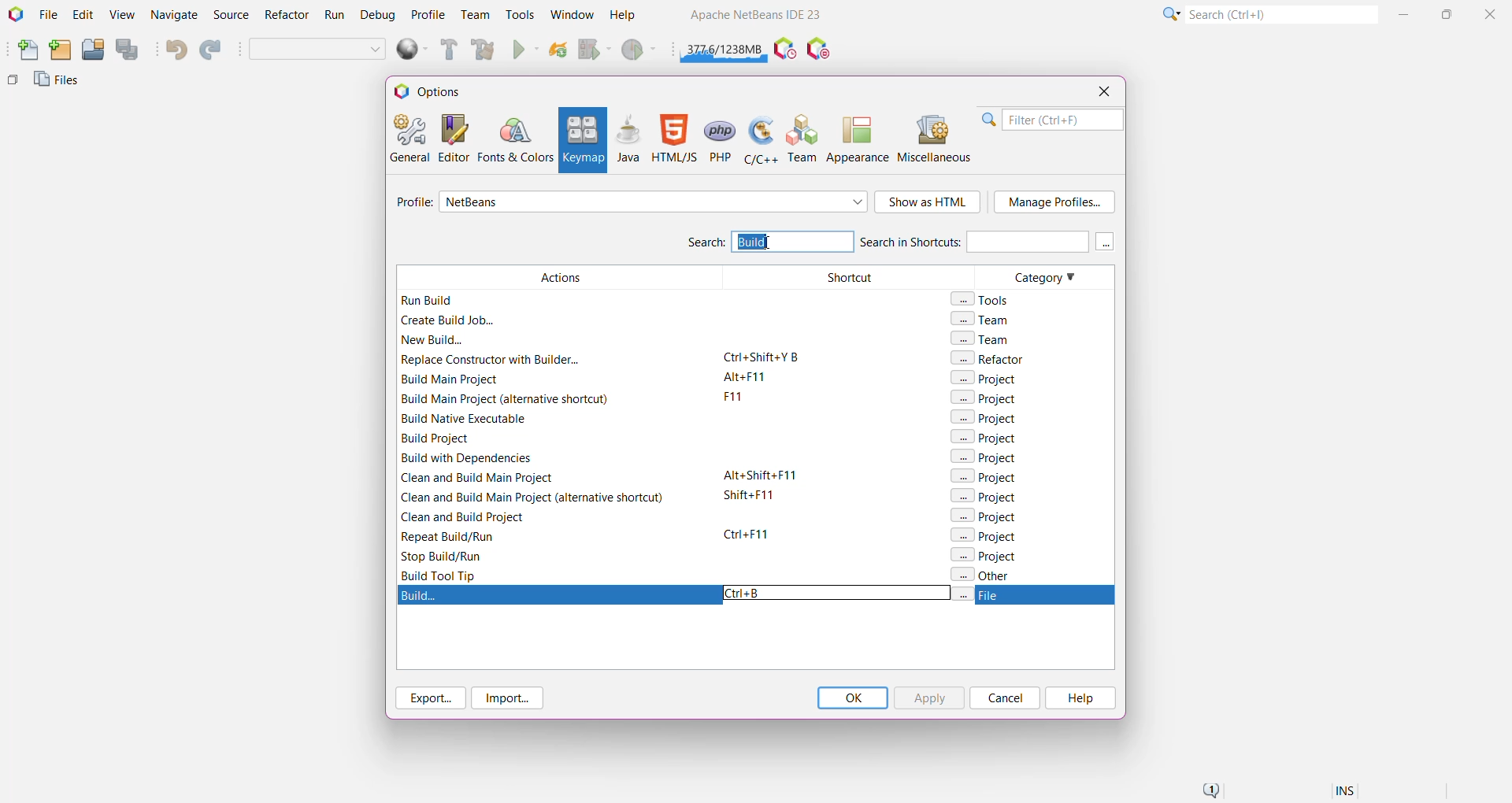  Describe the element at coordinates (778, 242) in the screenshot. I see `Select All to delete` at that location.